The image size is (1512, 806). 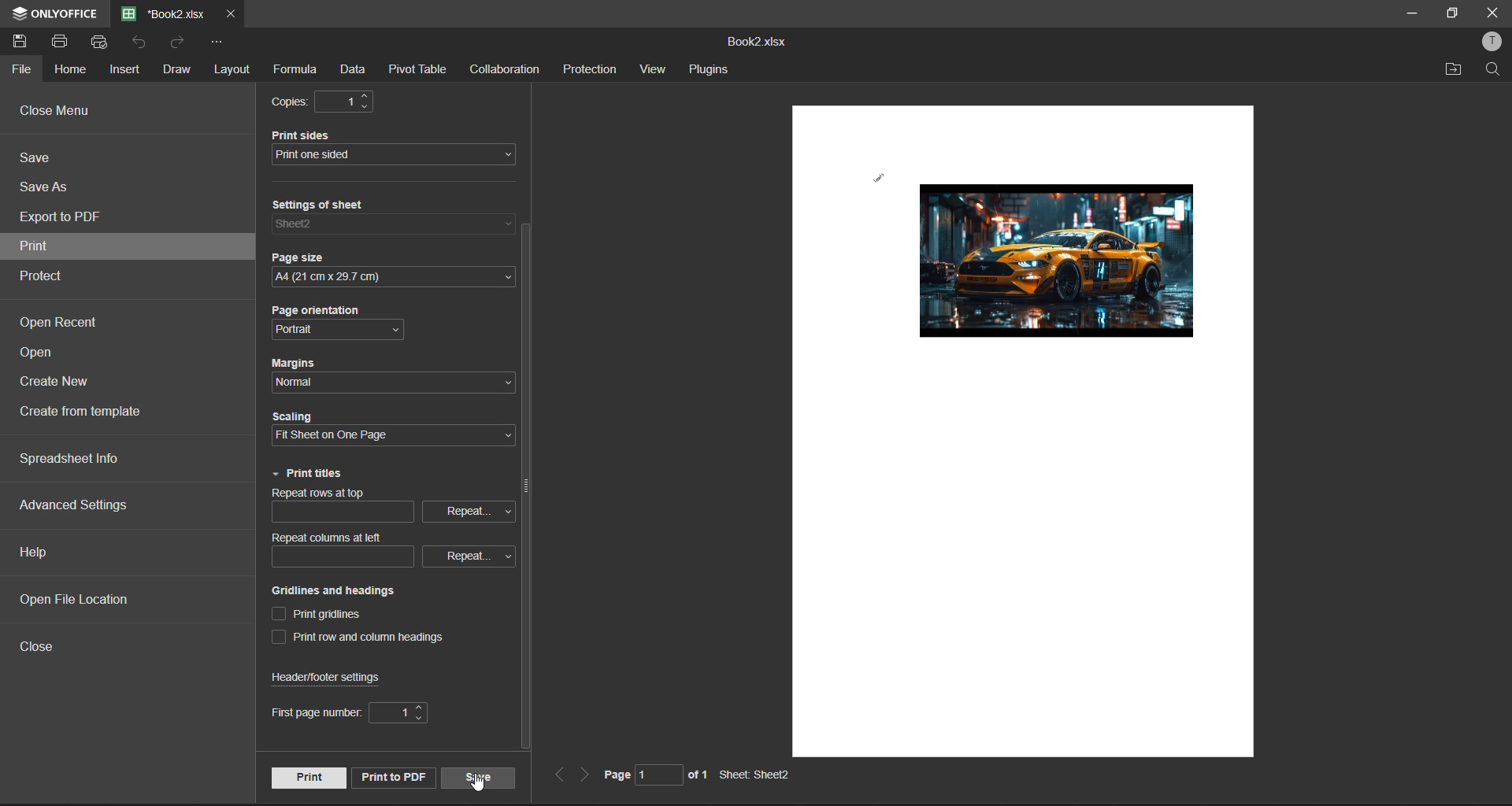 What do you see at coordinates (311, 713) in the screenshot?
I see `first page number` at bounding box center [311, 713].